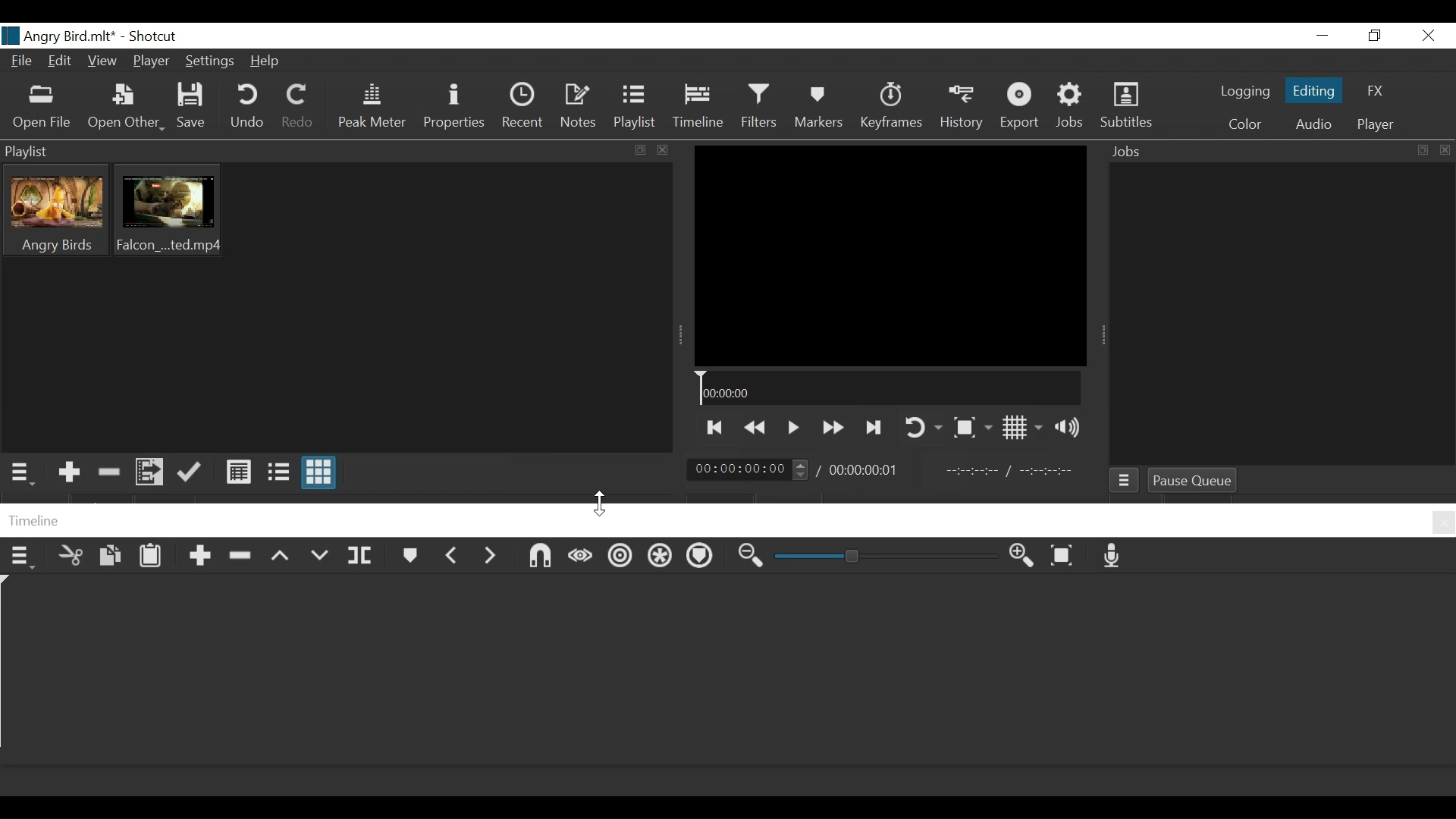  Describe the element at coordinates (754, 426) in the screenshot. I see `Play backward quickly` at that location.